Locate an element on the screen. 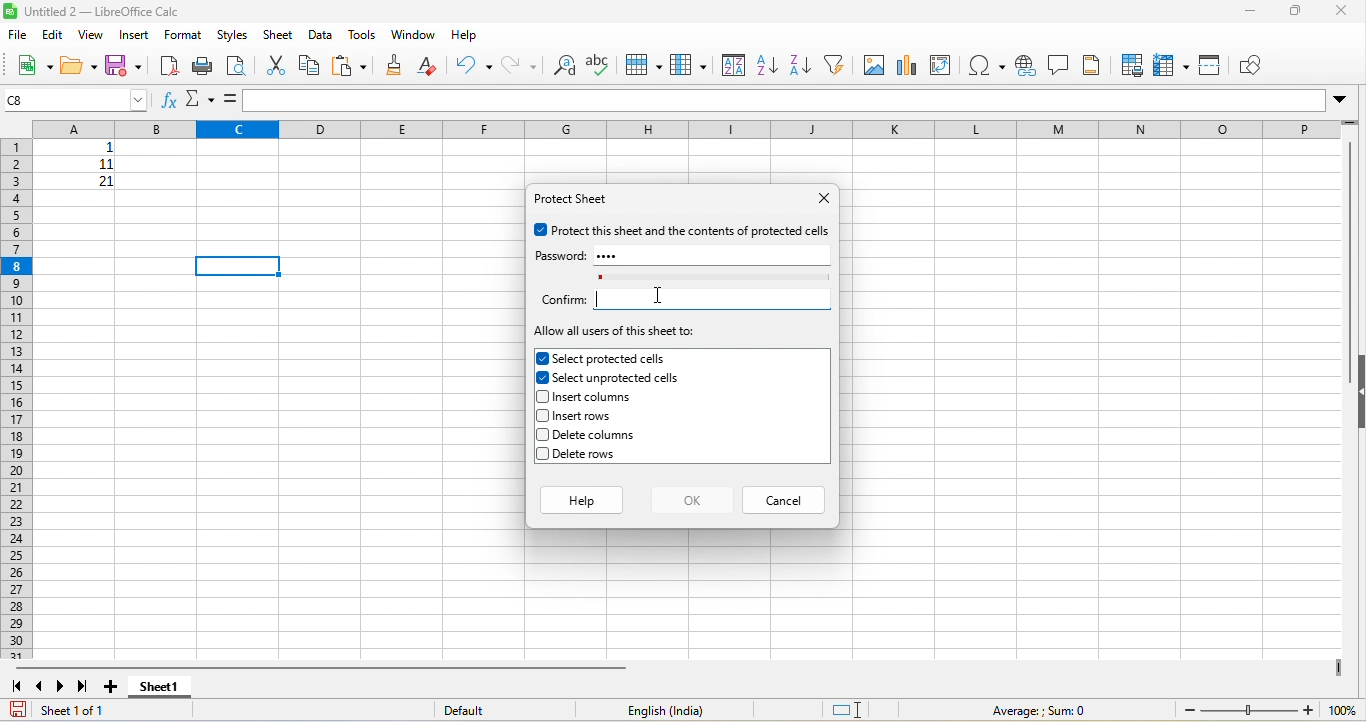 This screenshot has width=1366, height=722. sort ascending is located at coordinates (766, 65).